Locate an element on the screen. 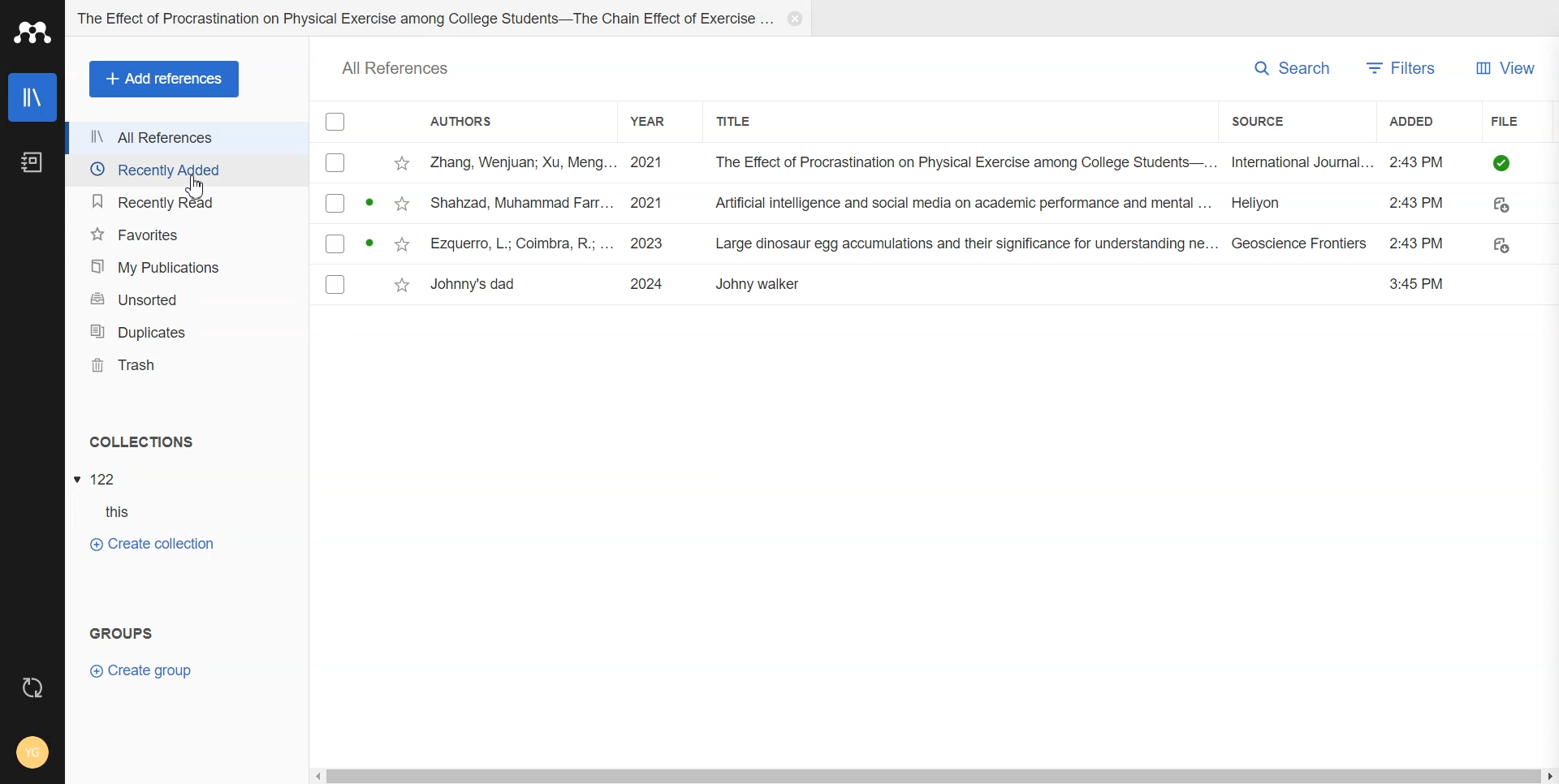 This screenshot has width=1559, height=784. Text is located at coordinates (121, 633).